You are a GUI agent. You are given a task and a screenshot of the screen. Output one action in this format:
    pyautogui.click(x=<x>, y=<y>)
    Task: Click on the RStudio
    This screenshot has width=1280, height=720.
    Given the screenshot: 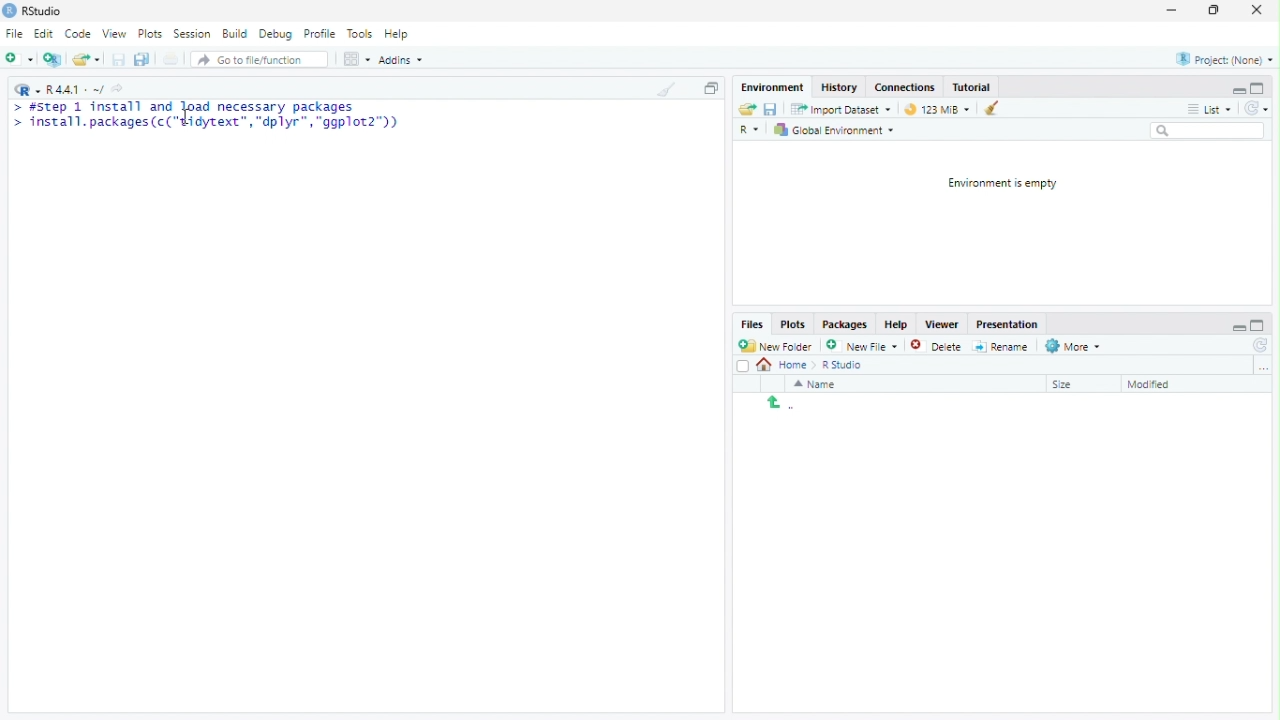 What is the action you would take?
    pyautogui.click(x=33, y=11)
    